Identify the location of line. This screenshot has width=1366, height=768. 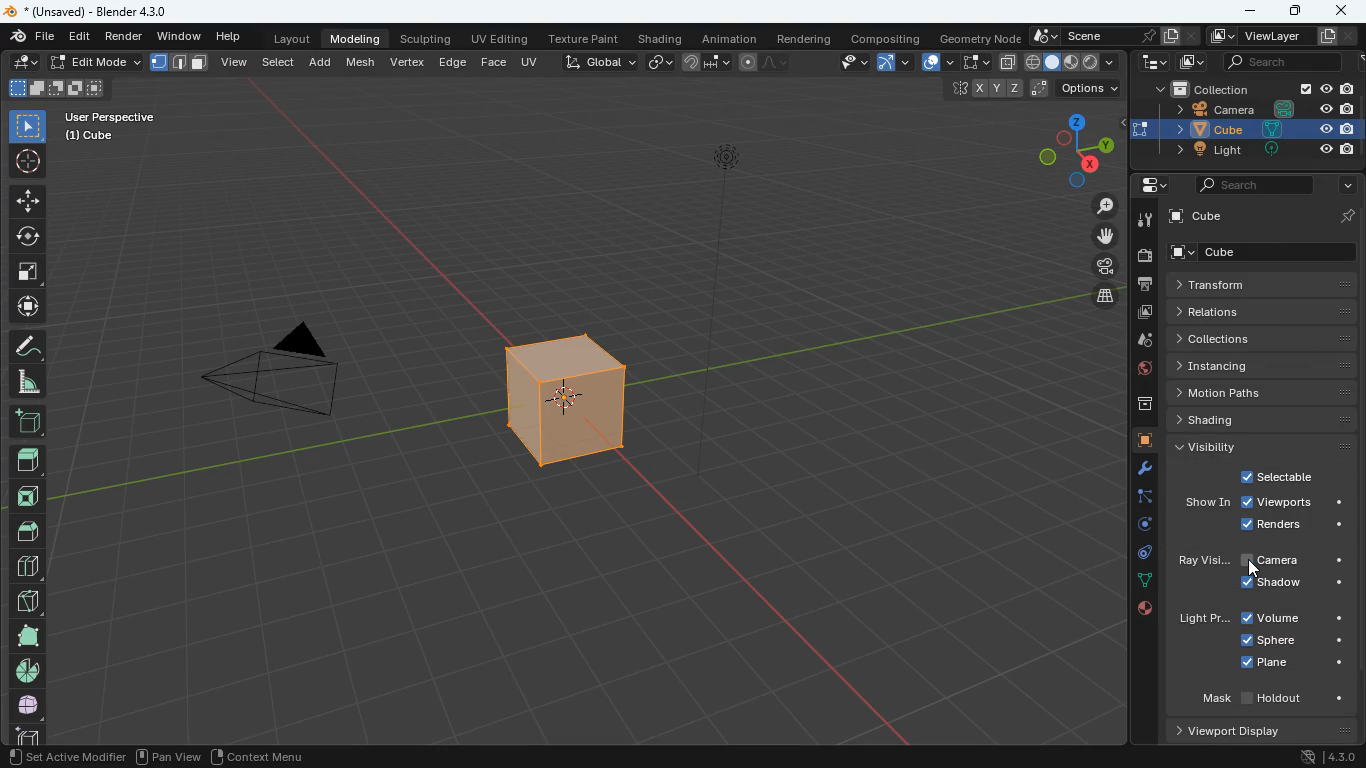
(769, 63).